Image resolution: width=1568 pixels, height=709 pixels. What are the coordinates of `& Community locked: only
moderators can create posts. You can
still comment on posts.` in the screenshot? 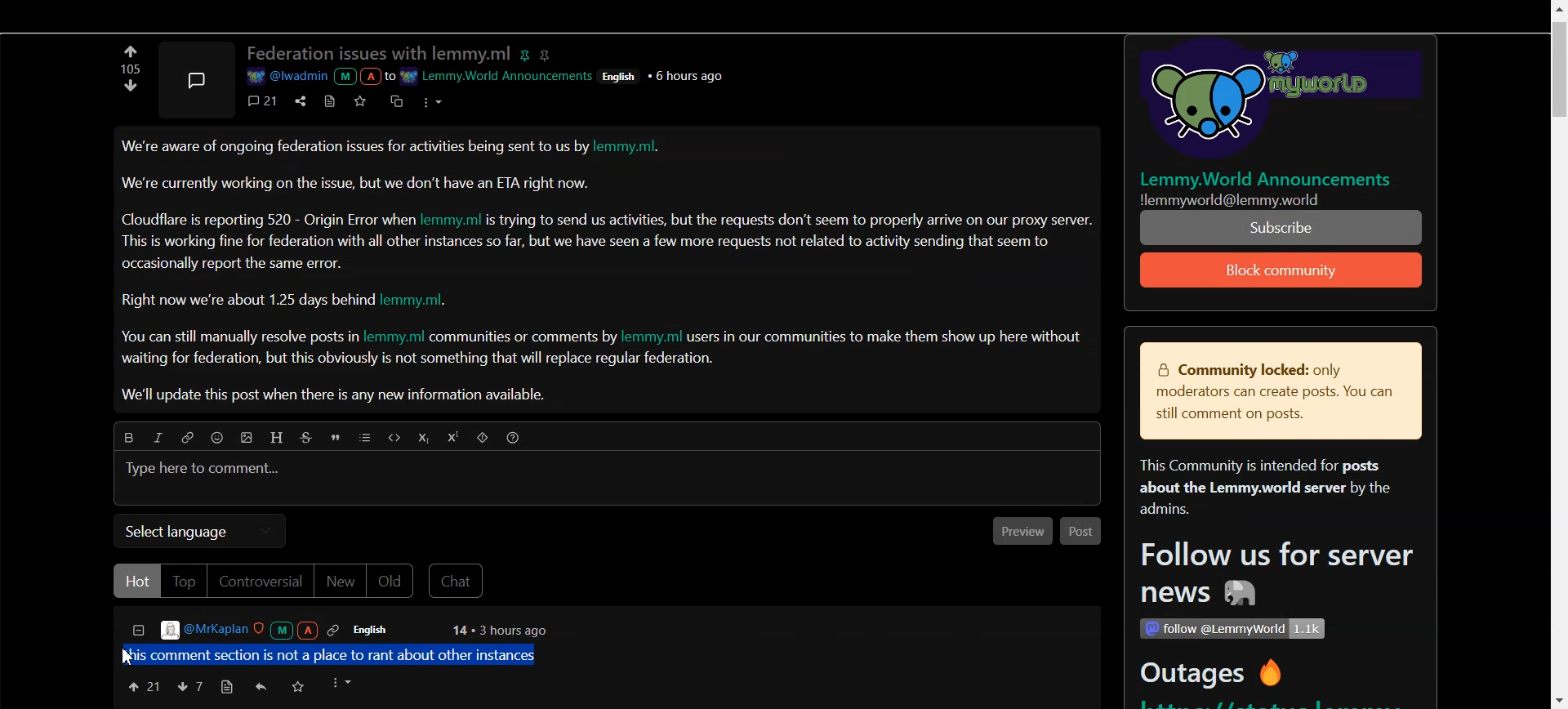 It's located at (1269, 393).